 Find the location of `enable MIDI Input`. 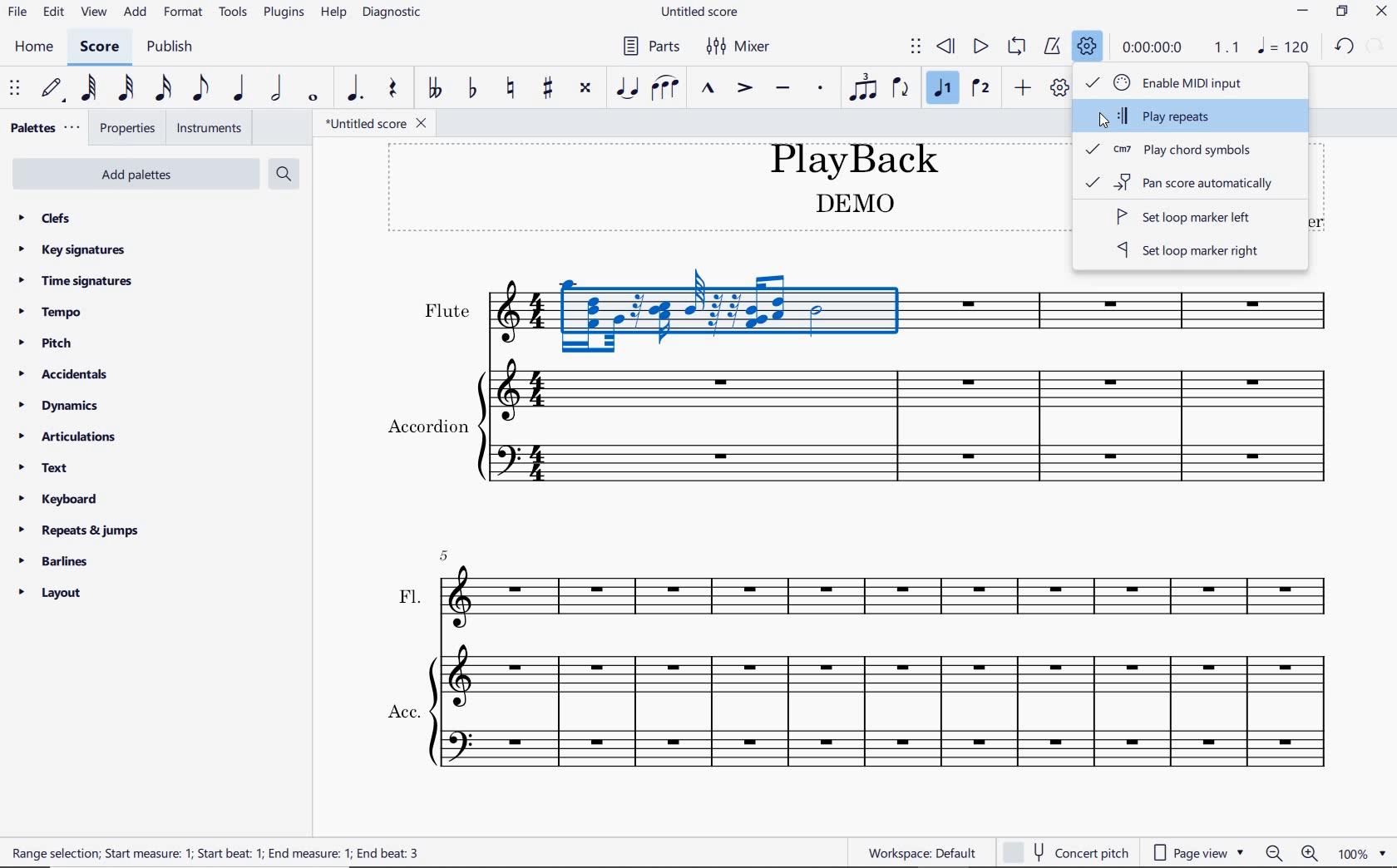

enable MIDI Input is located at coordinates (1188, 81).